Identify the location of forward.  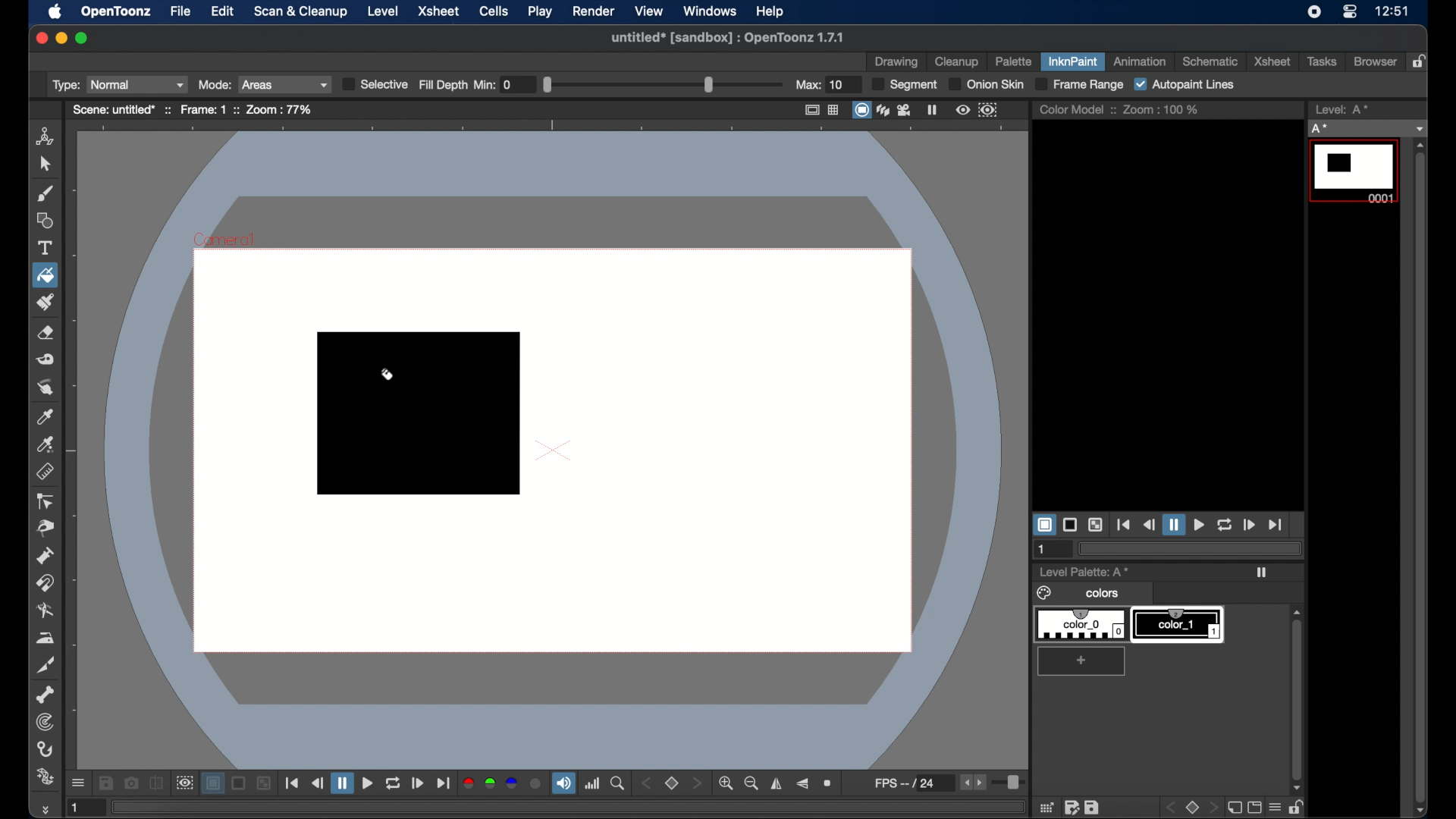
(418, 783).